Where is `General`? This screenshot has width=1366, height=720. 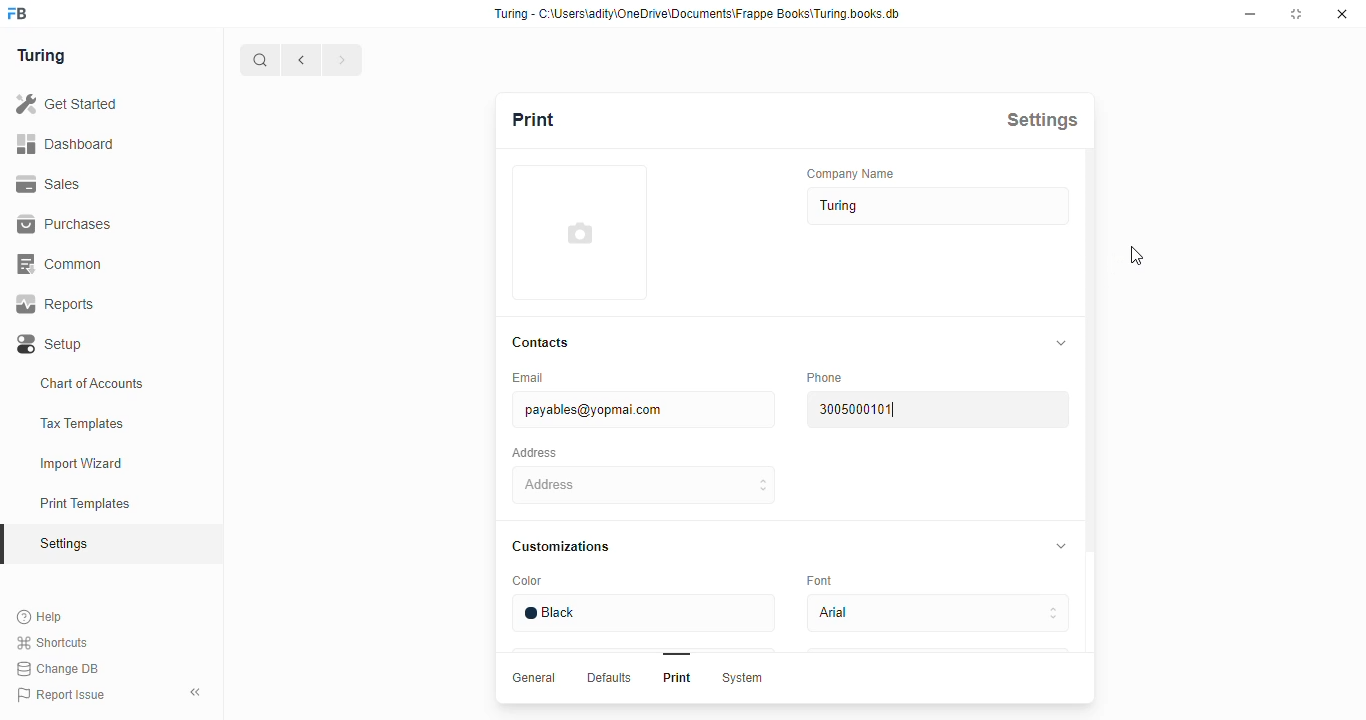 General is located at coordinates (530, 676).